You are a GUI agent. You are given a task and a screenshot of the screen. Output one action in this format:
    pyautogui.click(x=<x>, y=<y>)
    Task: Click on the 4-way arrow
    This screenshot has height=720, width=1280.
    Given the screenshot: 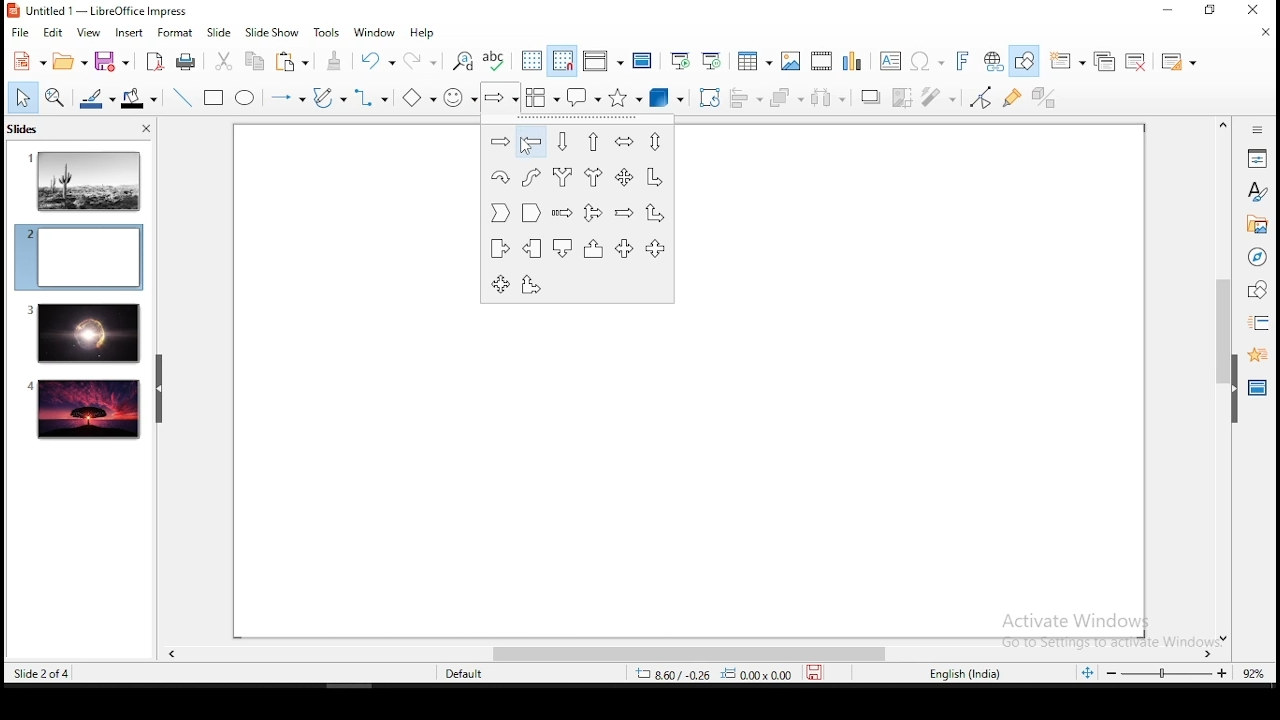 What is the action you would take?
    pyautogui.click(x=626, y=177)
    